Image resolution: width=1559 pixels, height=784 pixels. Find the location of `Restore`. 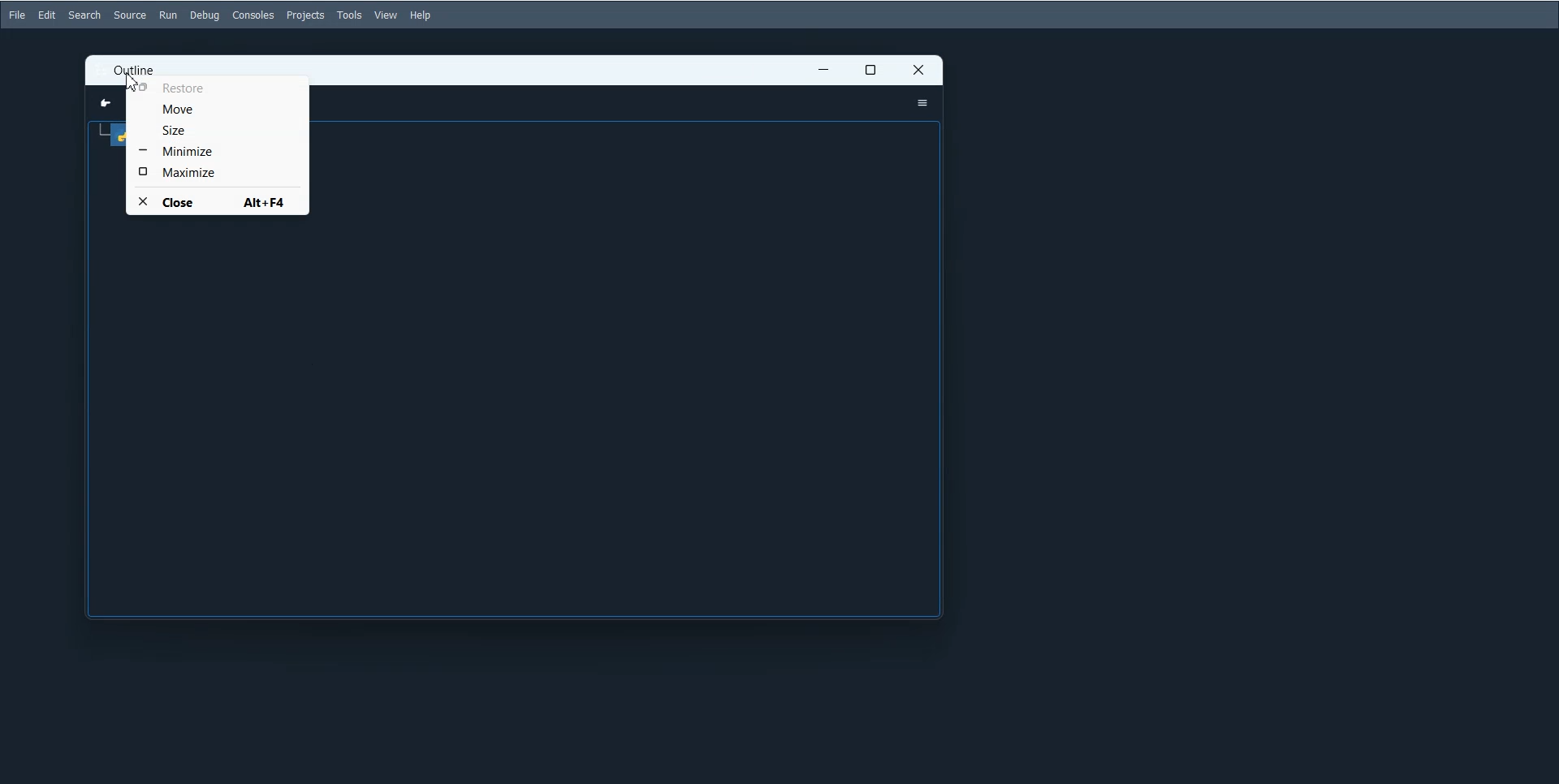

Restore is located at coordinates (219, 88).